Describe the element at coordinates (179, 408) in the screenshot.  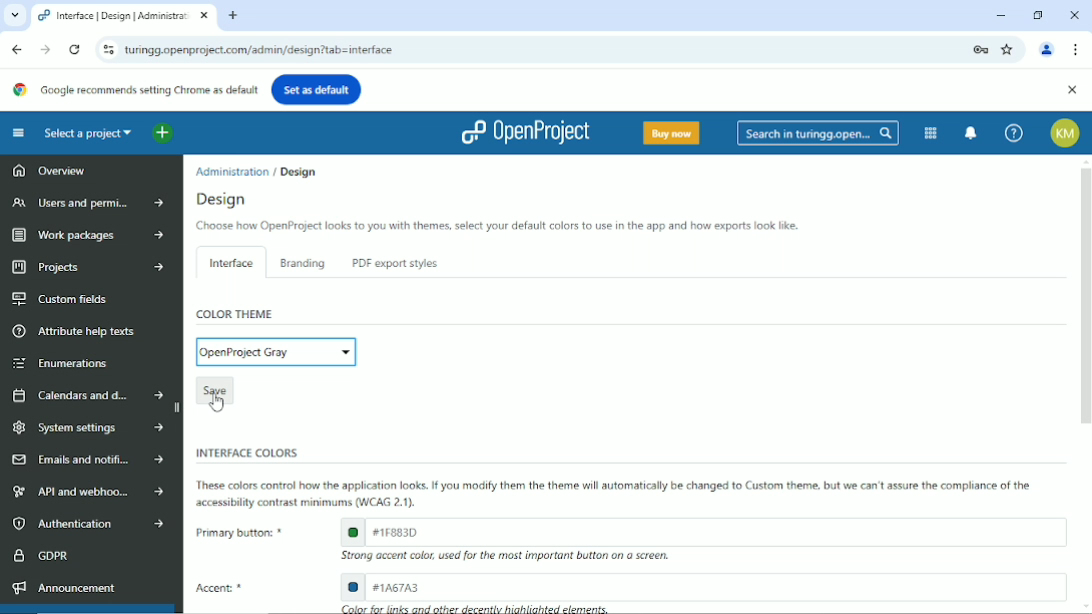
I see `hide sidebar` at that location.